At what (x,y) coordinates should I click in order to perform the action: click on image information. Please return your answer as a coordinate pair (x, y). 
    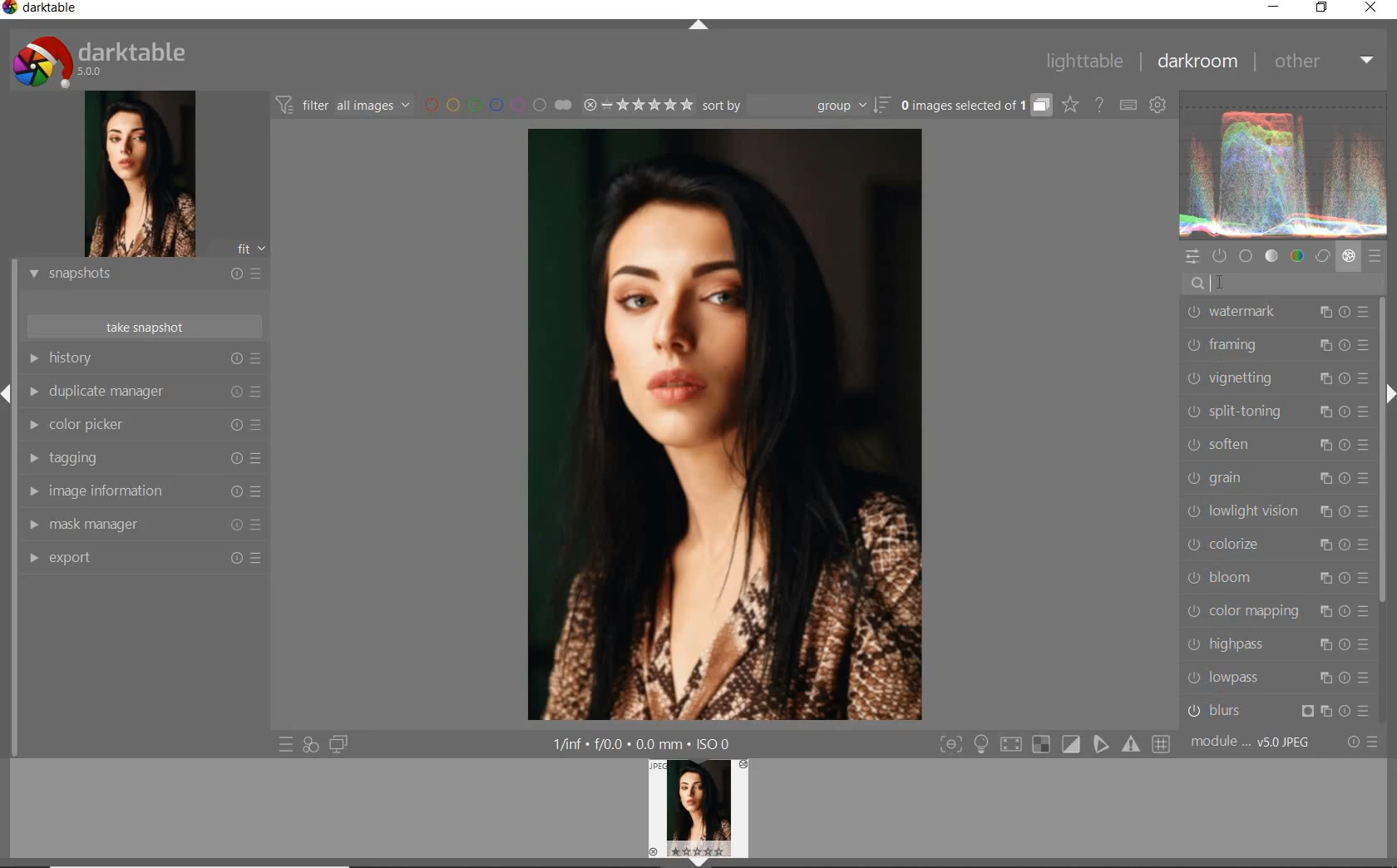
    Looking at the image, I should click on (143, 491).